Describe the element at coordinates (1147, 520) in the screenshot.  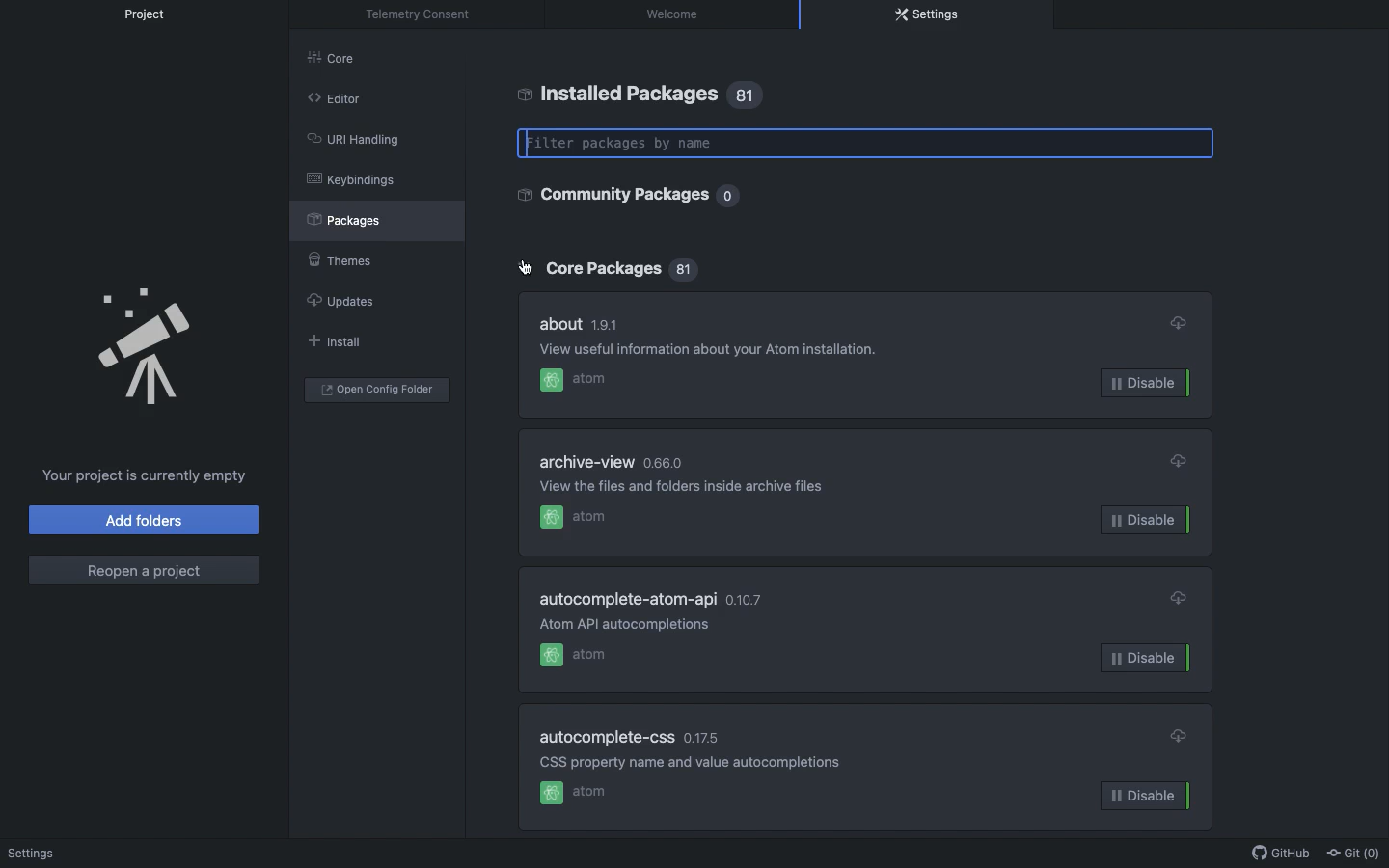
I see `Disable` at that location.